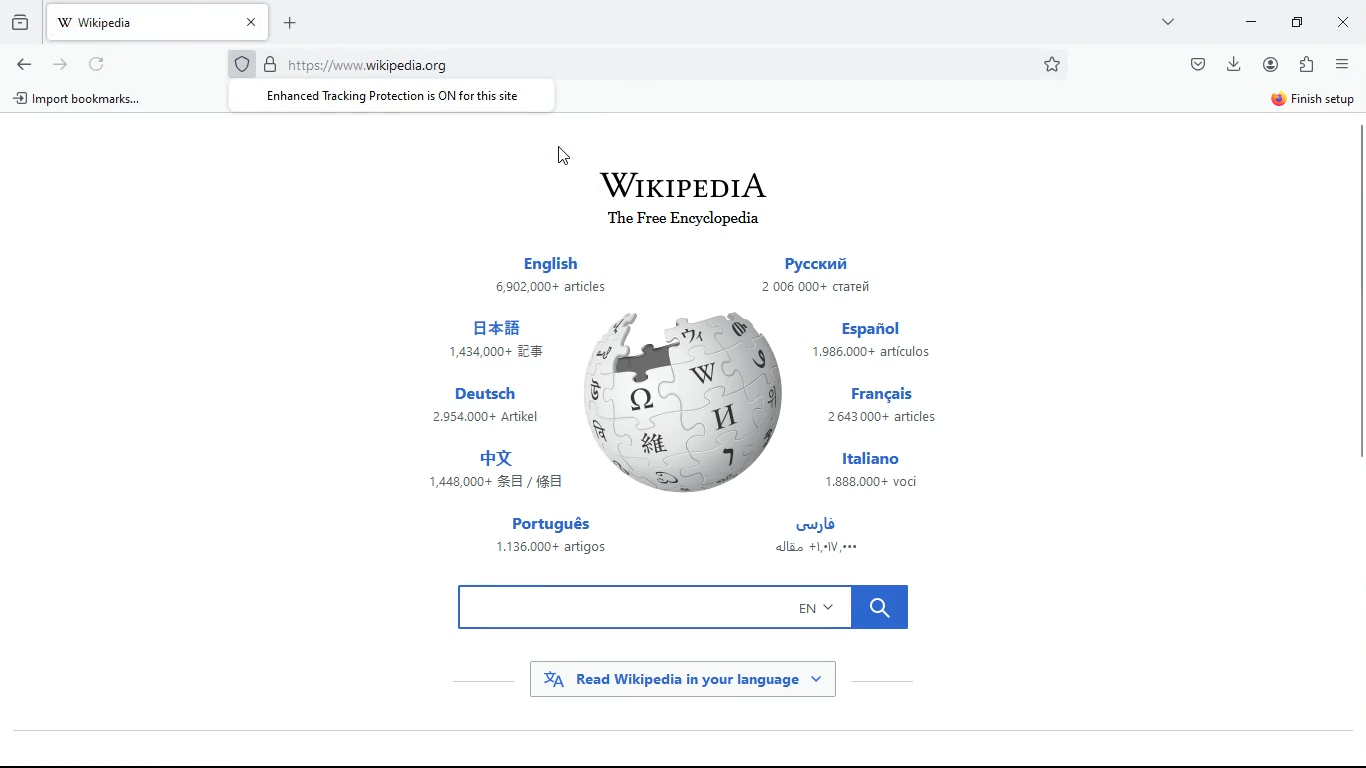  I want to click on minimize, so click(1252, 23).